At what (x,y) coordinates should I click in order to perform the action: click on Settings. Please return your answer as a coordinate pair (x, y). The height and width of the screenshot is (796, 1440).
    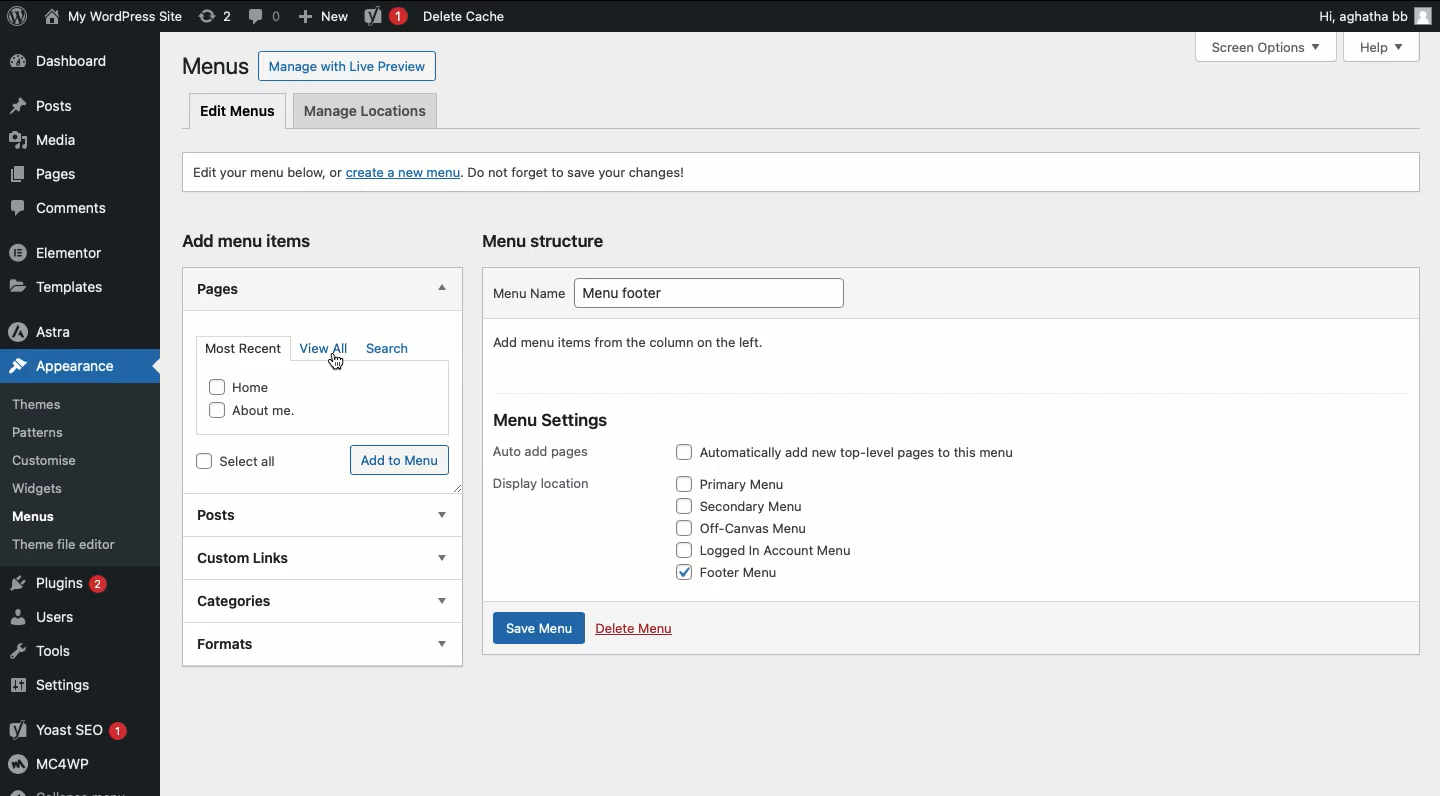
    Looking at the image, I should click on (75, 687).